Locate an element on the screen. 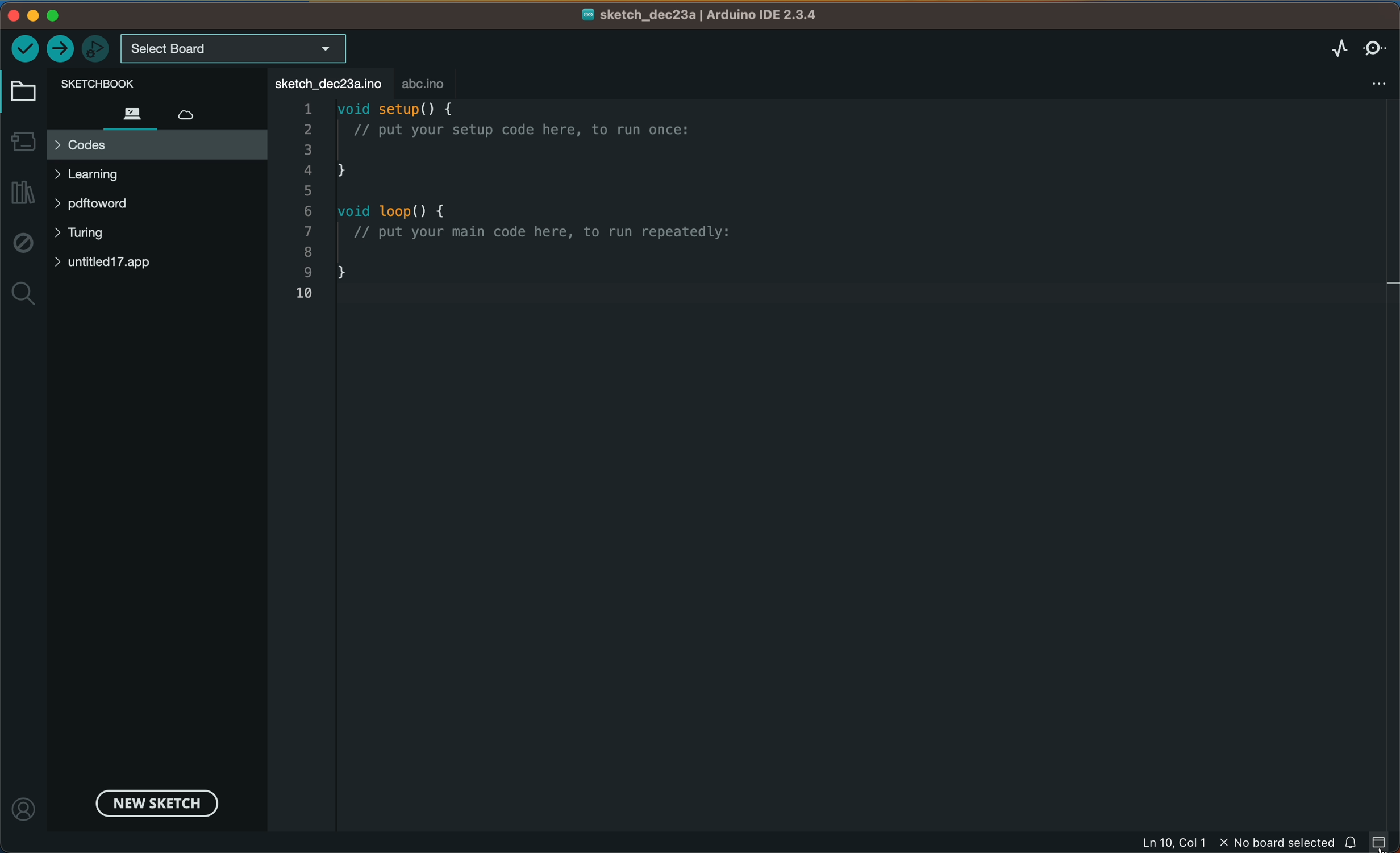 This screenshot has height=853, width=1400. serial monitor is located at coordinates (1376, 44).